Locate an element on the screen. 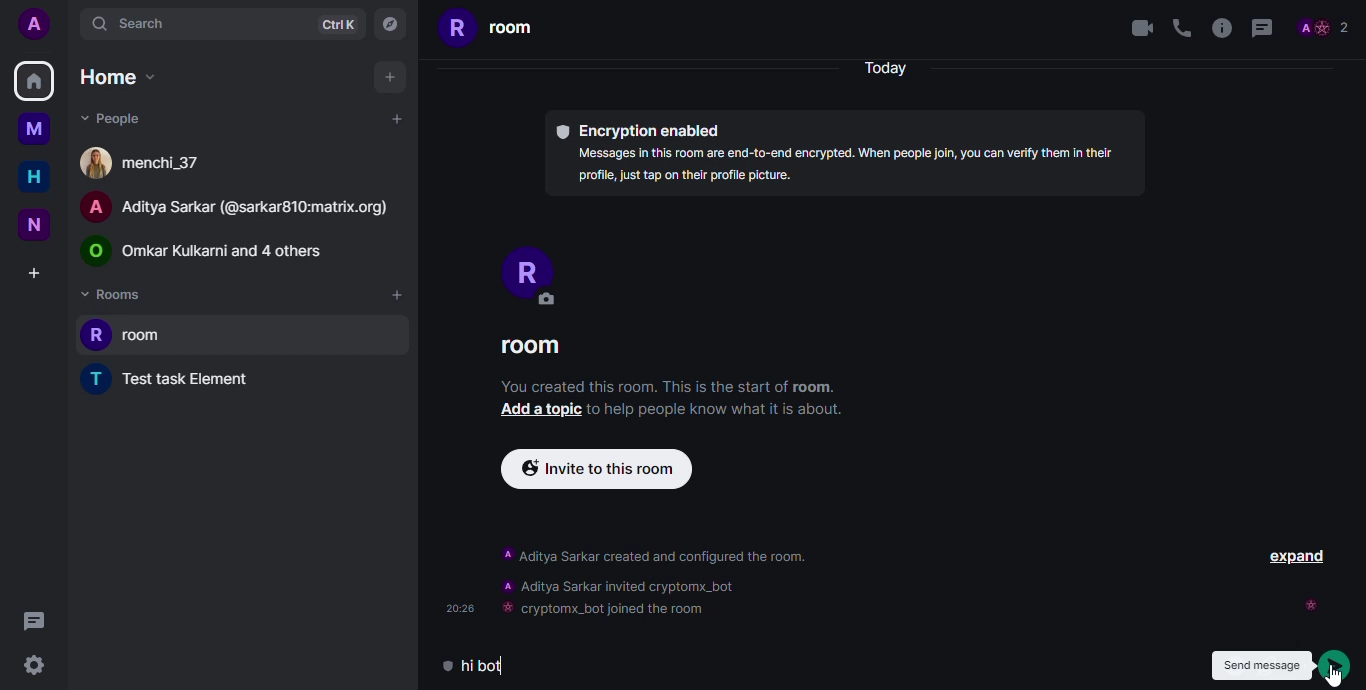  Messages in this room are end-to-end encrypted. When people join, you can verify them in theirprofile, just tap on their profile picture. is located at coordinates (843, 165).